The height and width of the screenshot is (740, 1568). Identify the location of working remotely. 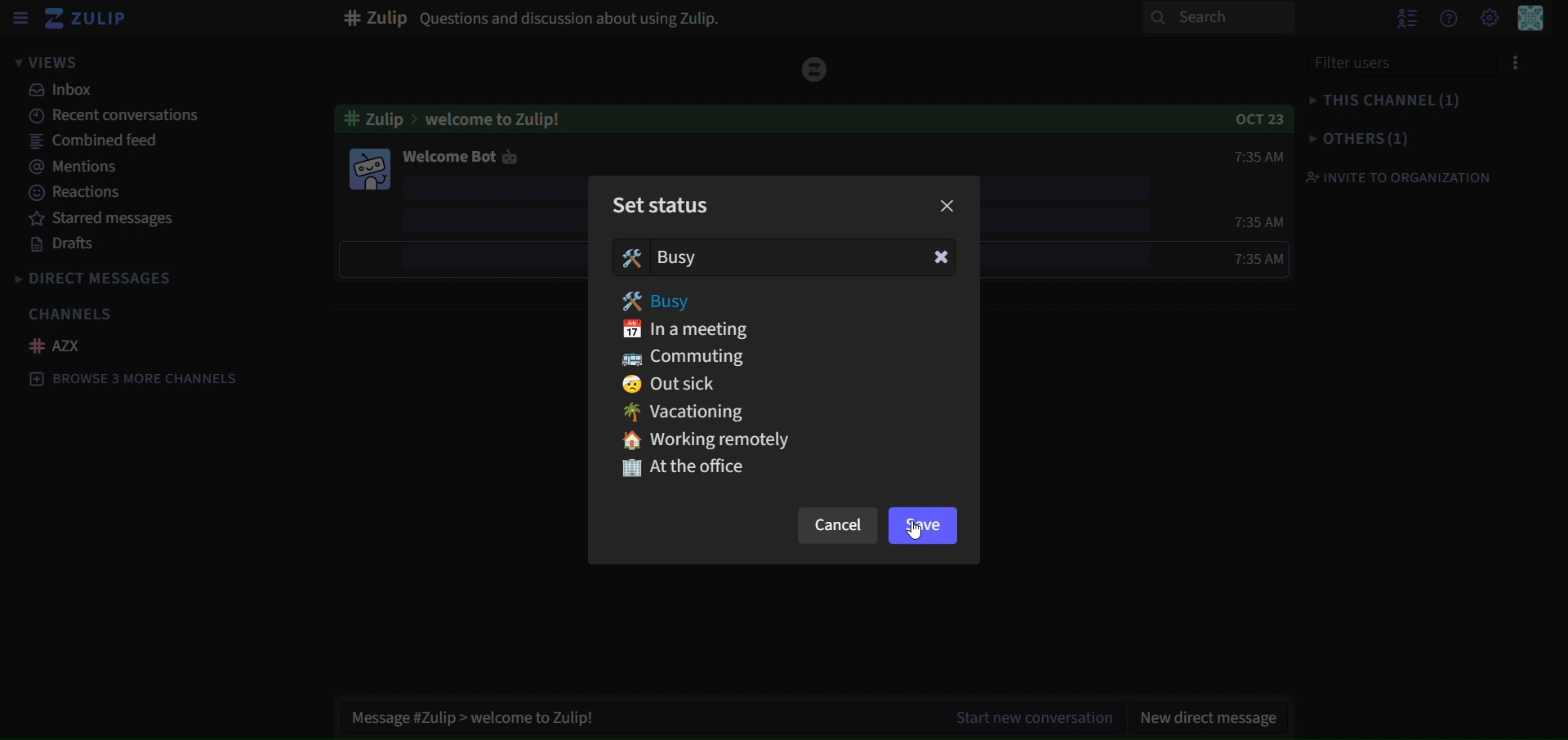
(727, 439).